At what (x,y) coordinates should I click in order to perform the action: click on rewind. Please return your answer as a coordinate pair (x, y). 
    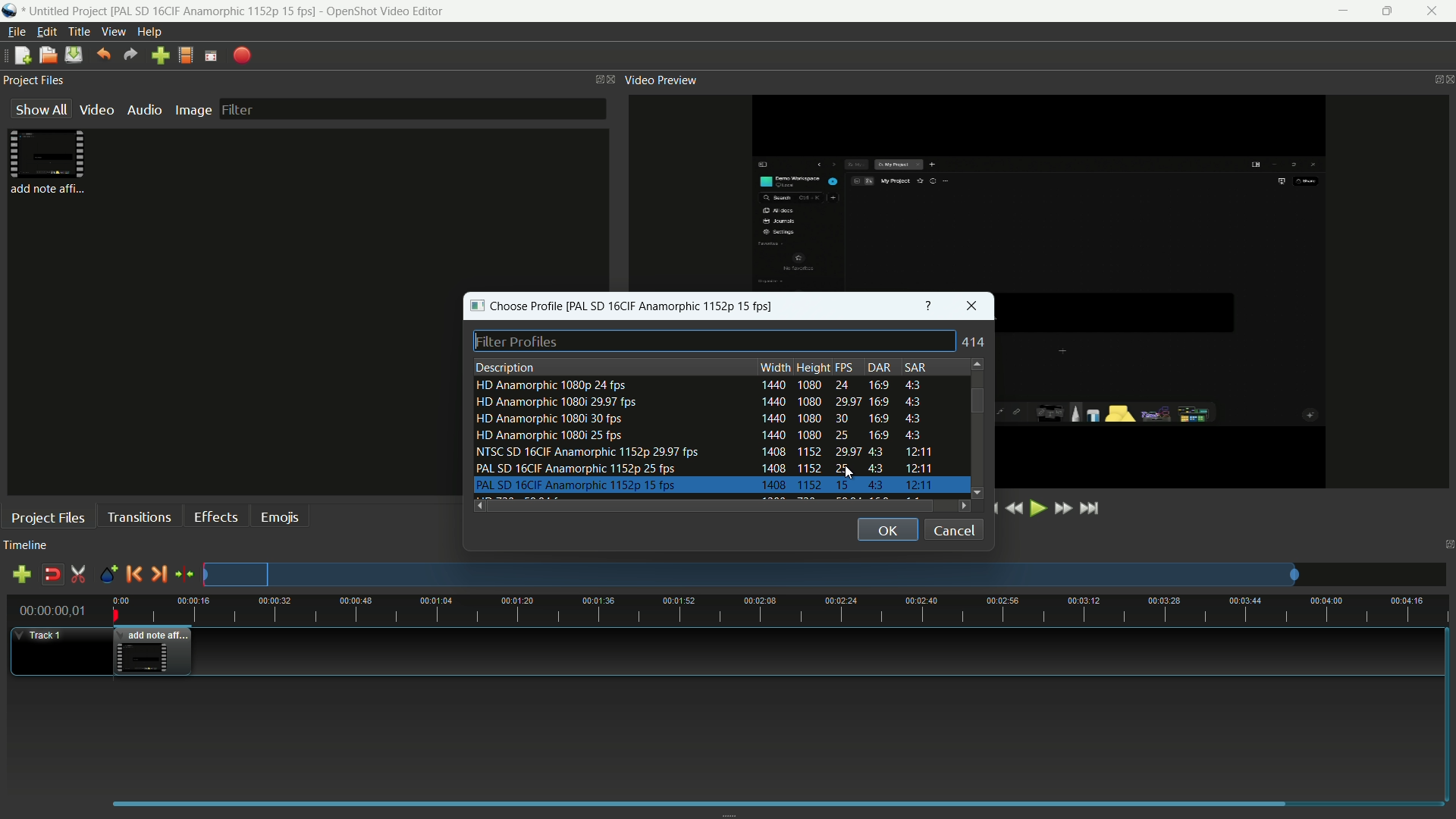
    Looking at the image, I should click on (1014, 510).